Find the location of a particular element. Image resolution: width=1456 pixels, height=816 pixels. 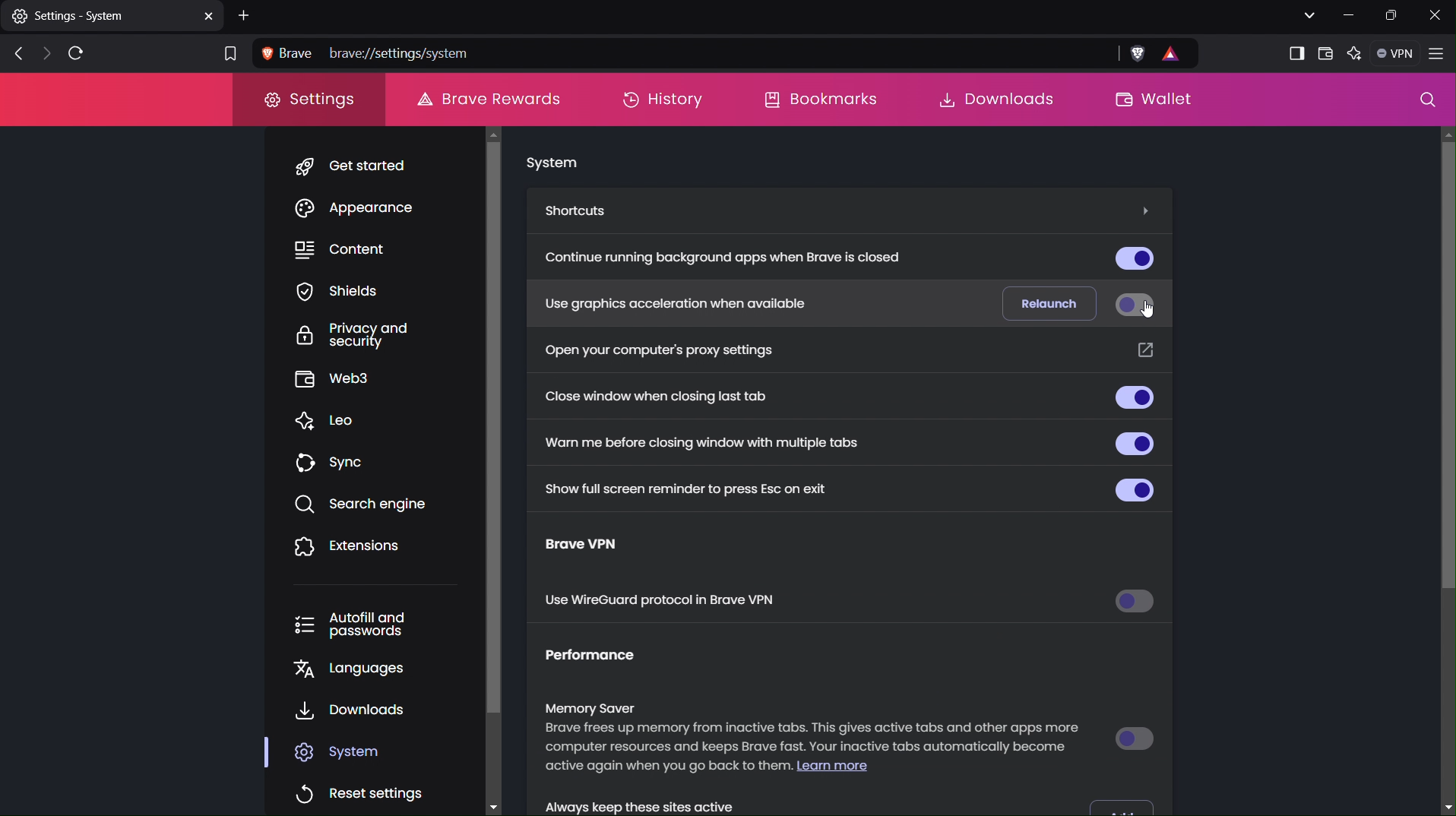

Brave Rewards is located at coordinates (487, 97).